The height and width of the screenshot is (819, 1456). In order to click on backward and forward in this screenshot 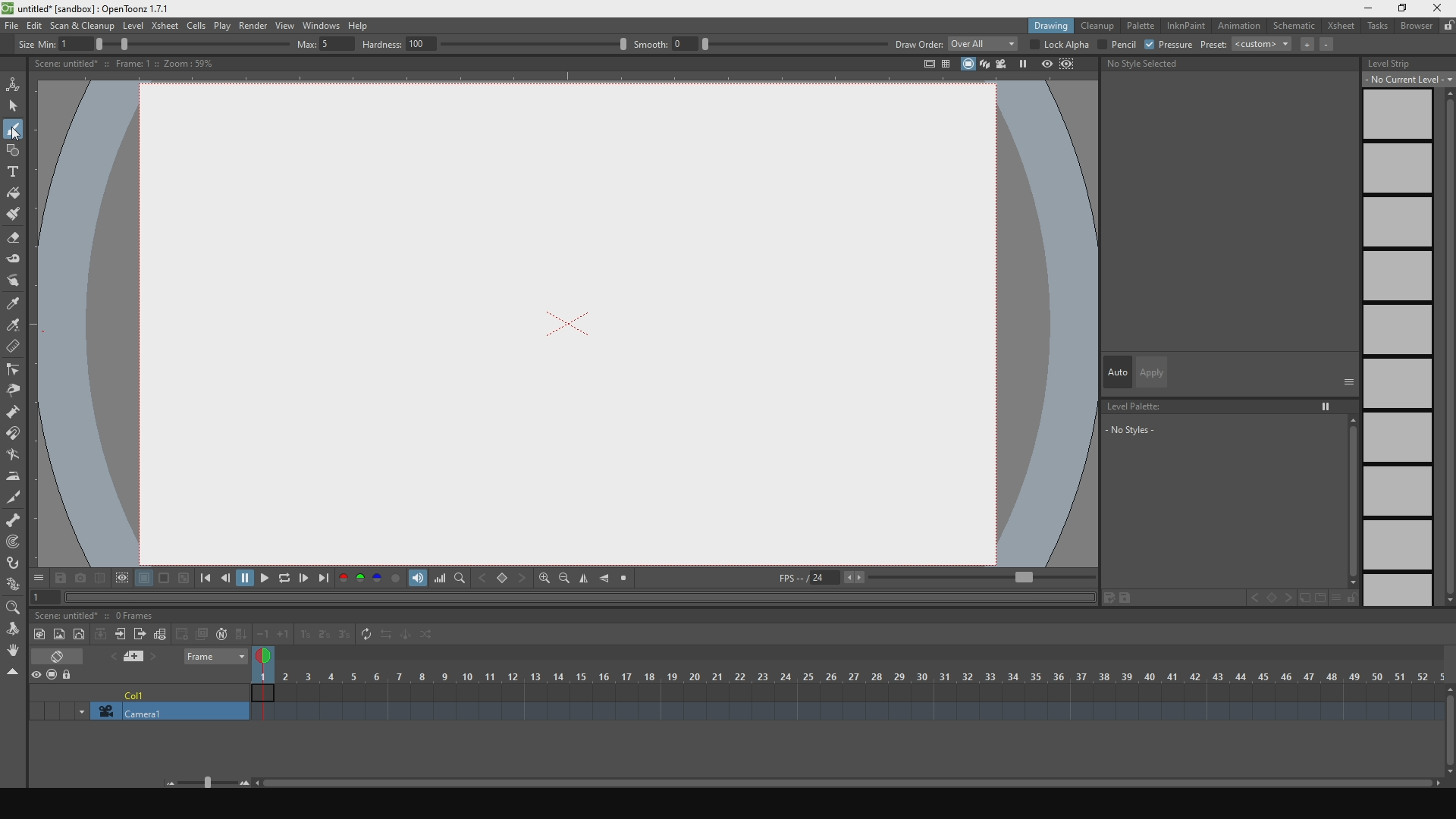, I will do `click(504, 579)`.